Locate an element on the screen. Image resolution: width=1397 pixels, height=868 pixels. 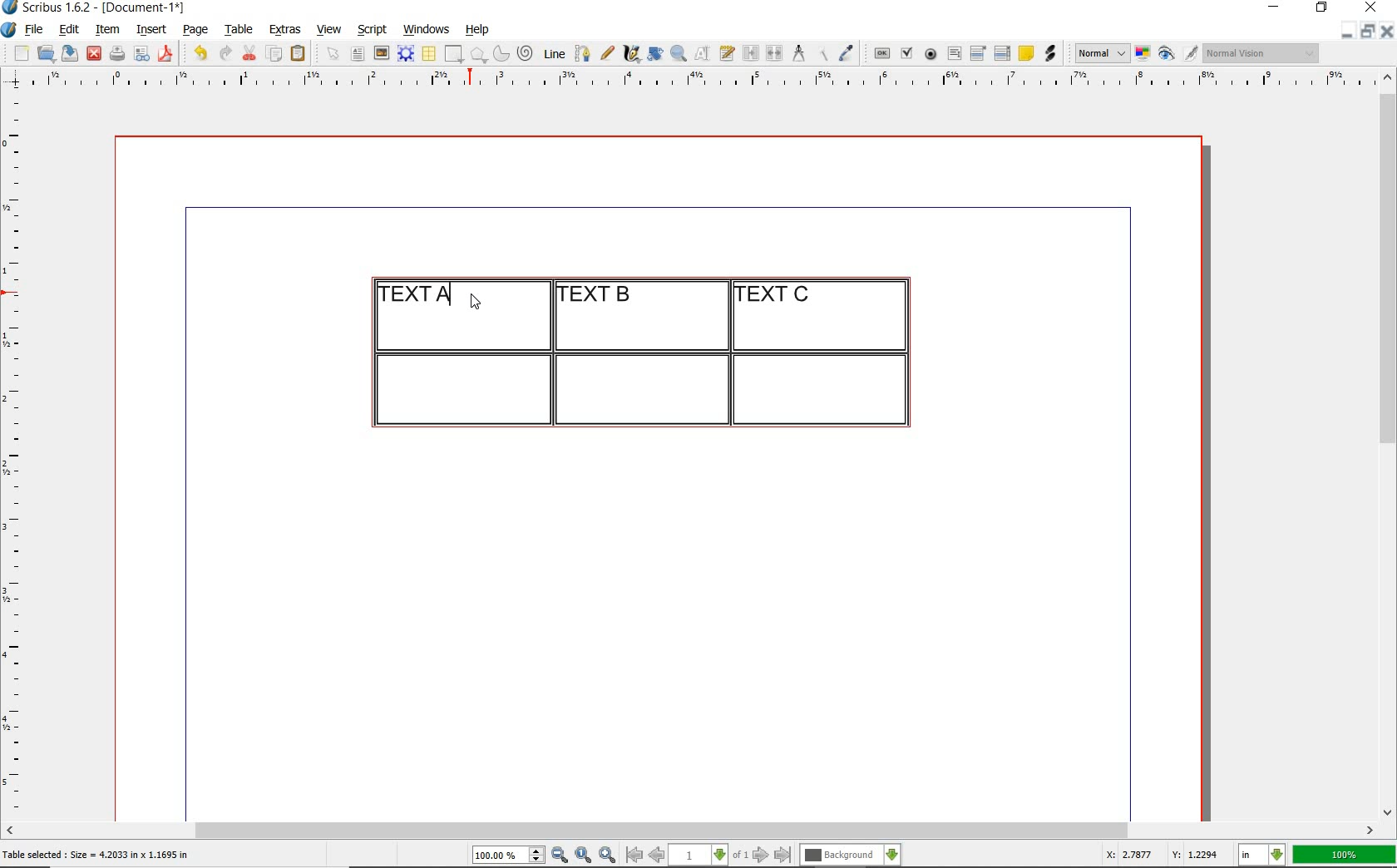
cut is located at coordinates (249, 52).